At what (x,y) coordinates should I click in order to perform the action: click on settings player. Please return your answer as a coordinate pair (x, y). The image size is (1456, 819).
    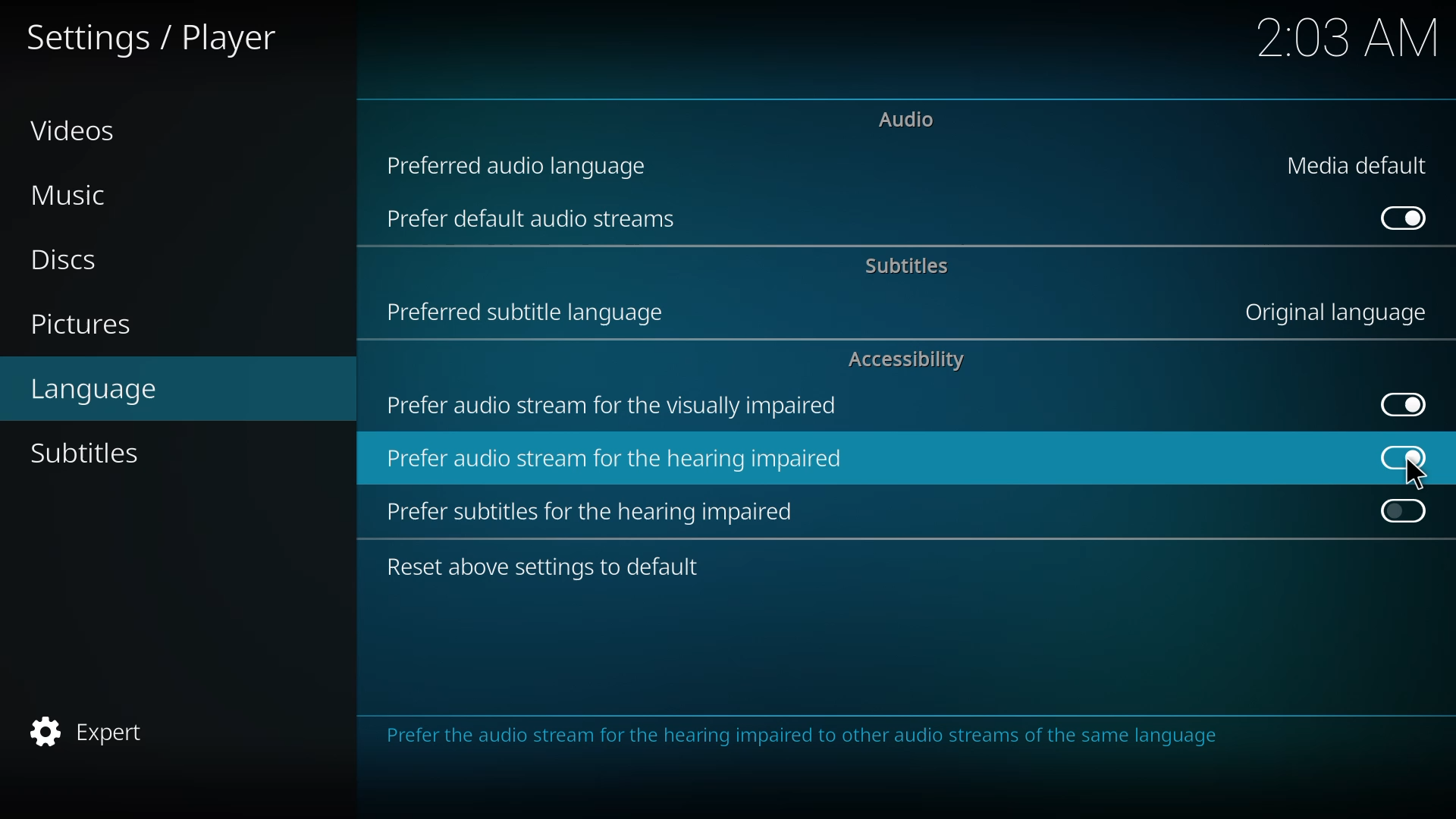
    Looking at the image, I should click on (152, 37).